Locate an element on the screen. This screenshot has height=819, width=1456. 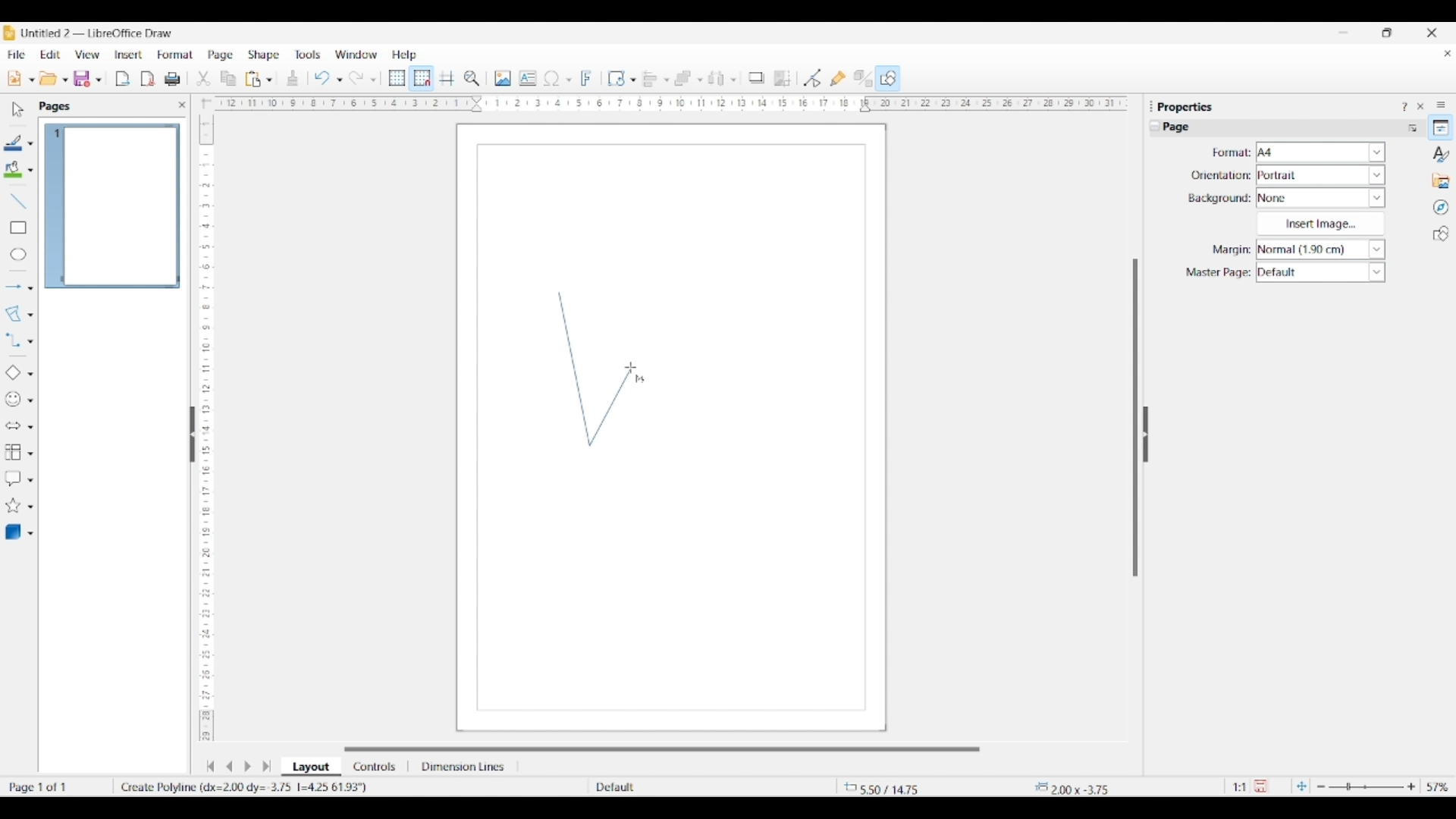
Polygon symbol is located at coordinates (640, 379).